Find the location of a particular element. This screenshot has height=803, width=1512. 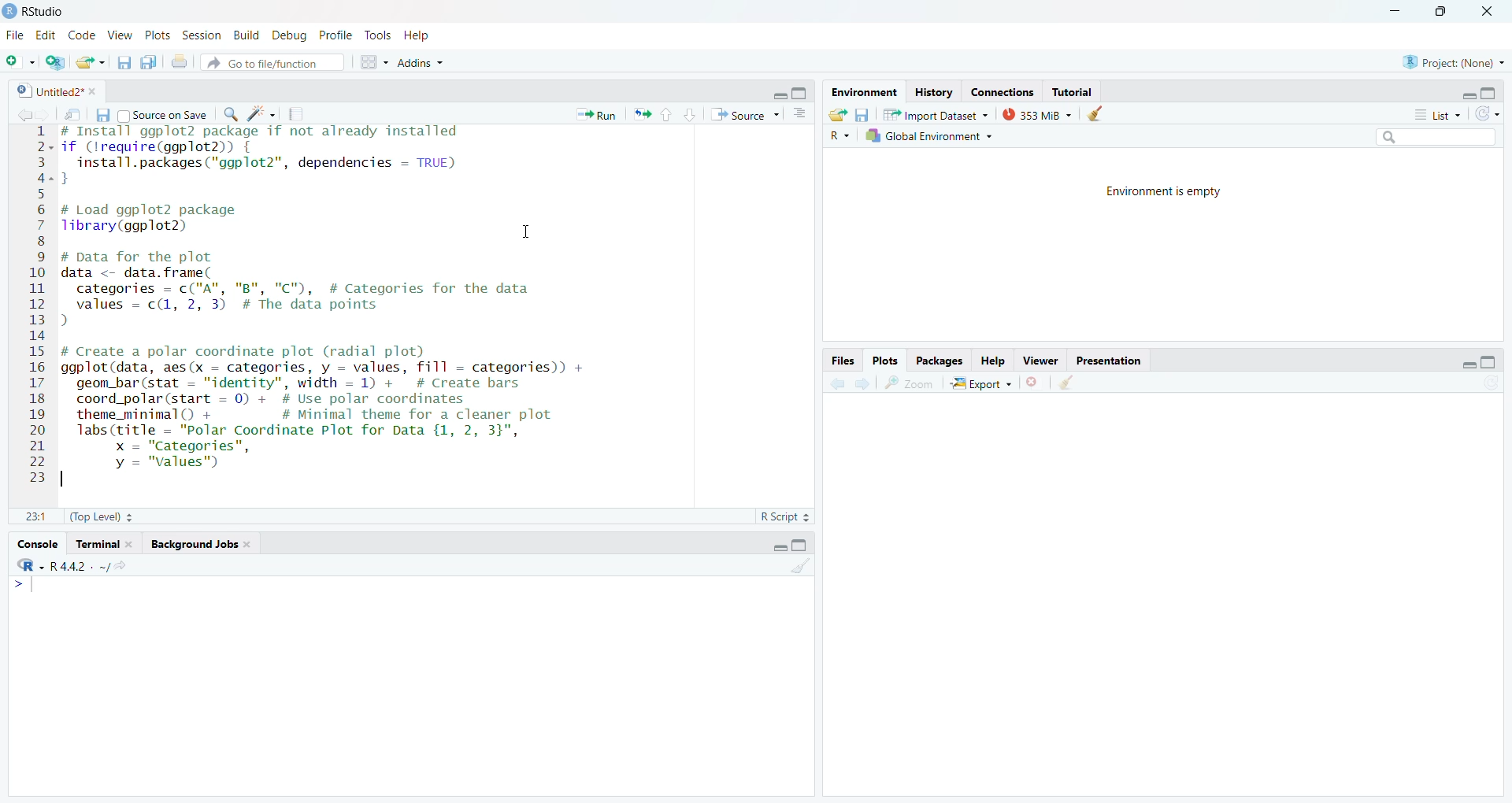

Connections. is located at coordinates (1005, 93).